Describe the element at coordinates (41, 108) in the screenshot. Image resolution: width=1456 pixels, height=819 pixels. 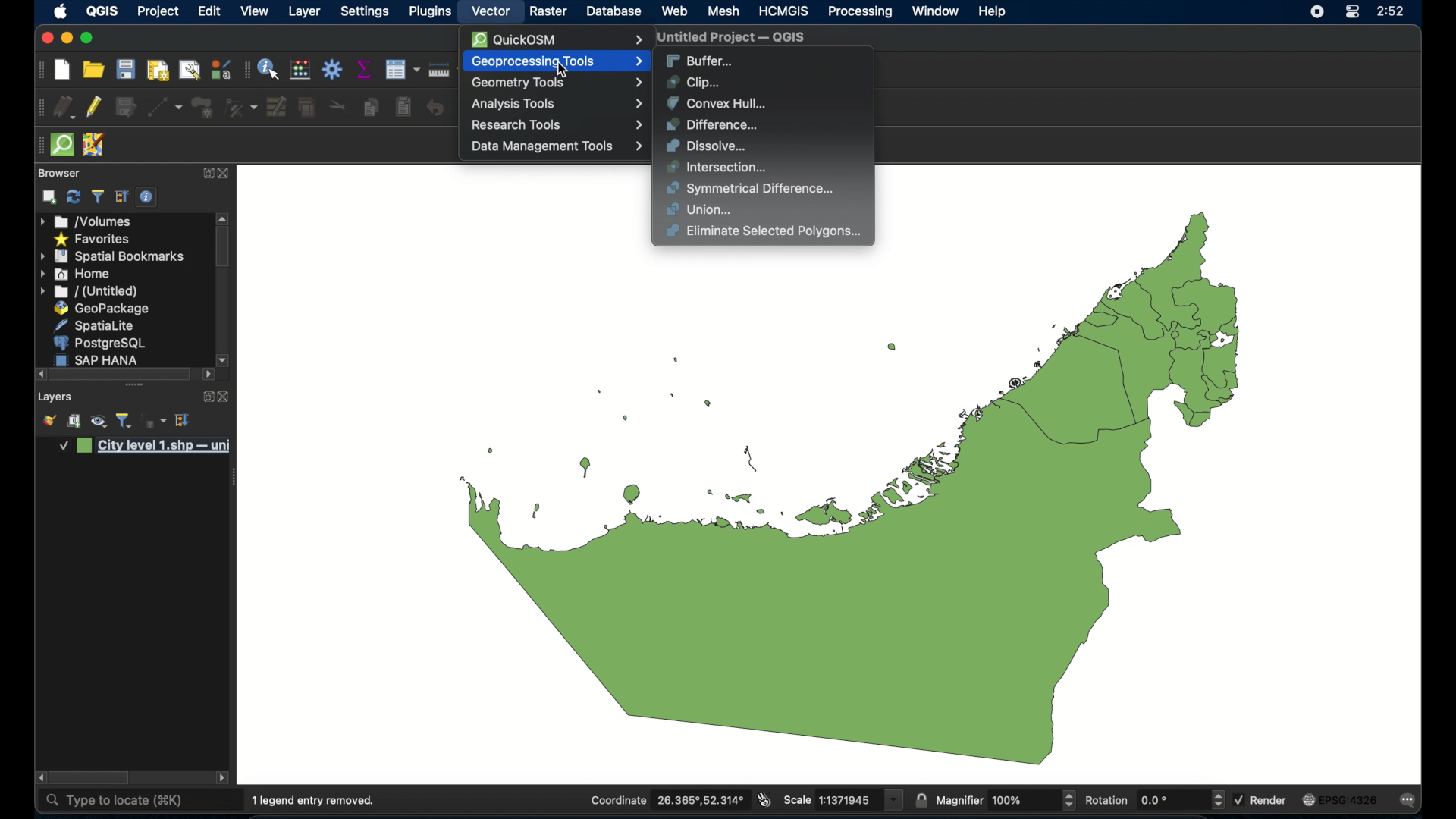
I see `digitizing toolbar` at that location.